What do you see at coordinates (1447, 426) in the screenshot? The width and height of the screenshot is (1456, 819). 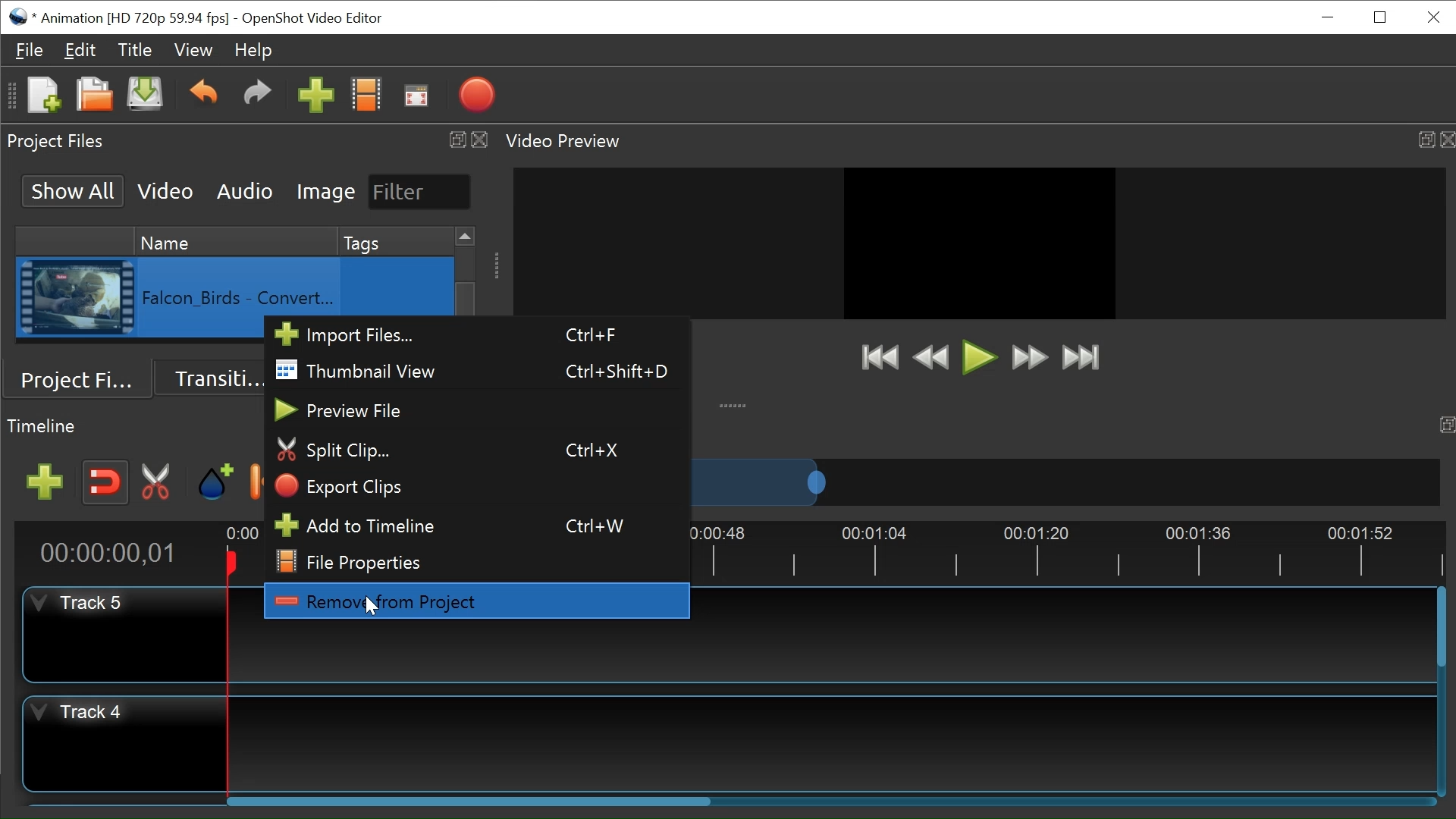 I see `Maximize` at bounding box center [1447, 426].